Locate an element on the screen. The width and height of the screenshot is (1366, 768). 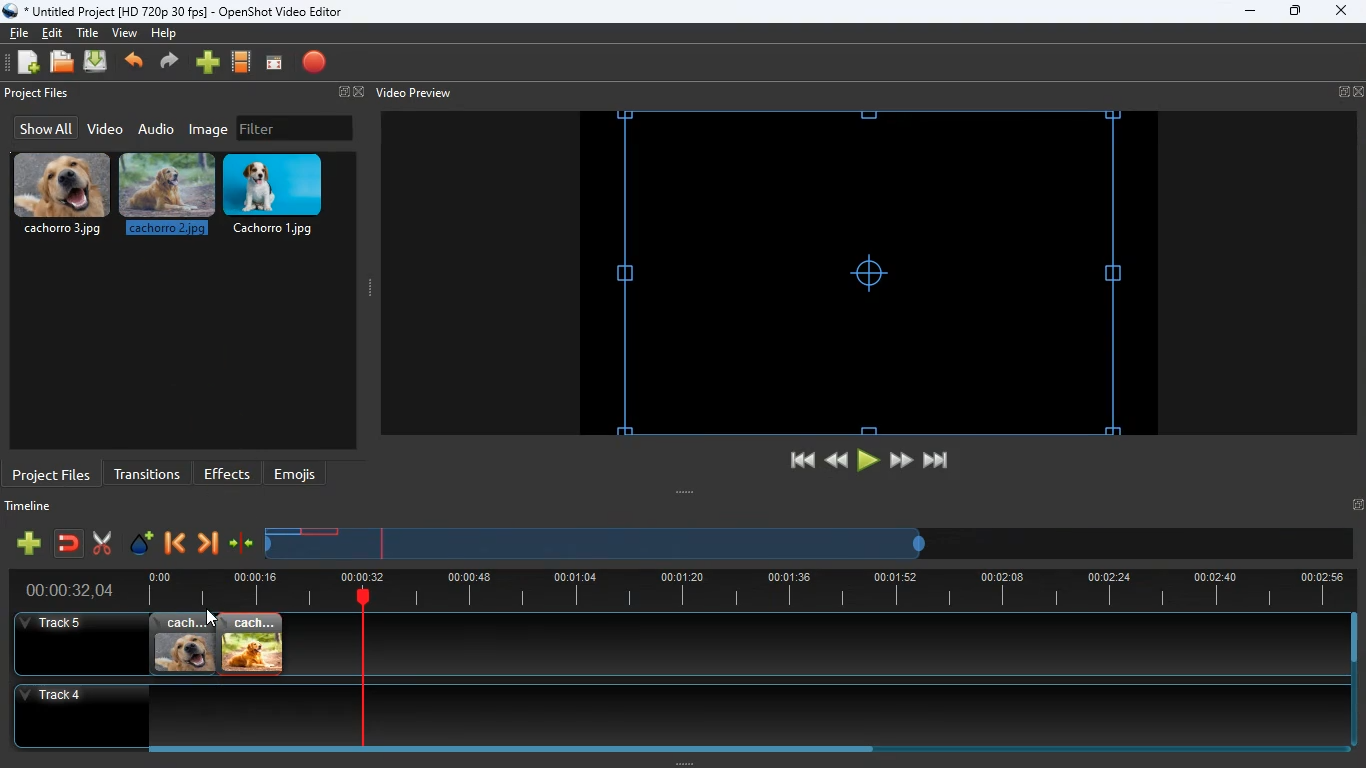
video is located at coordinates (104, 130).